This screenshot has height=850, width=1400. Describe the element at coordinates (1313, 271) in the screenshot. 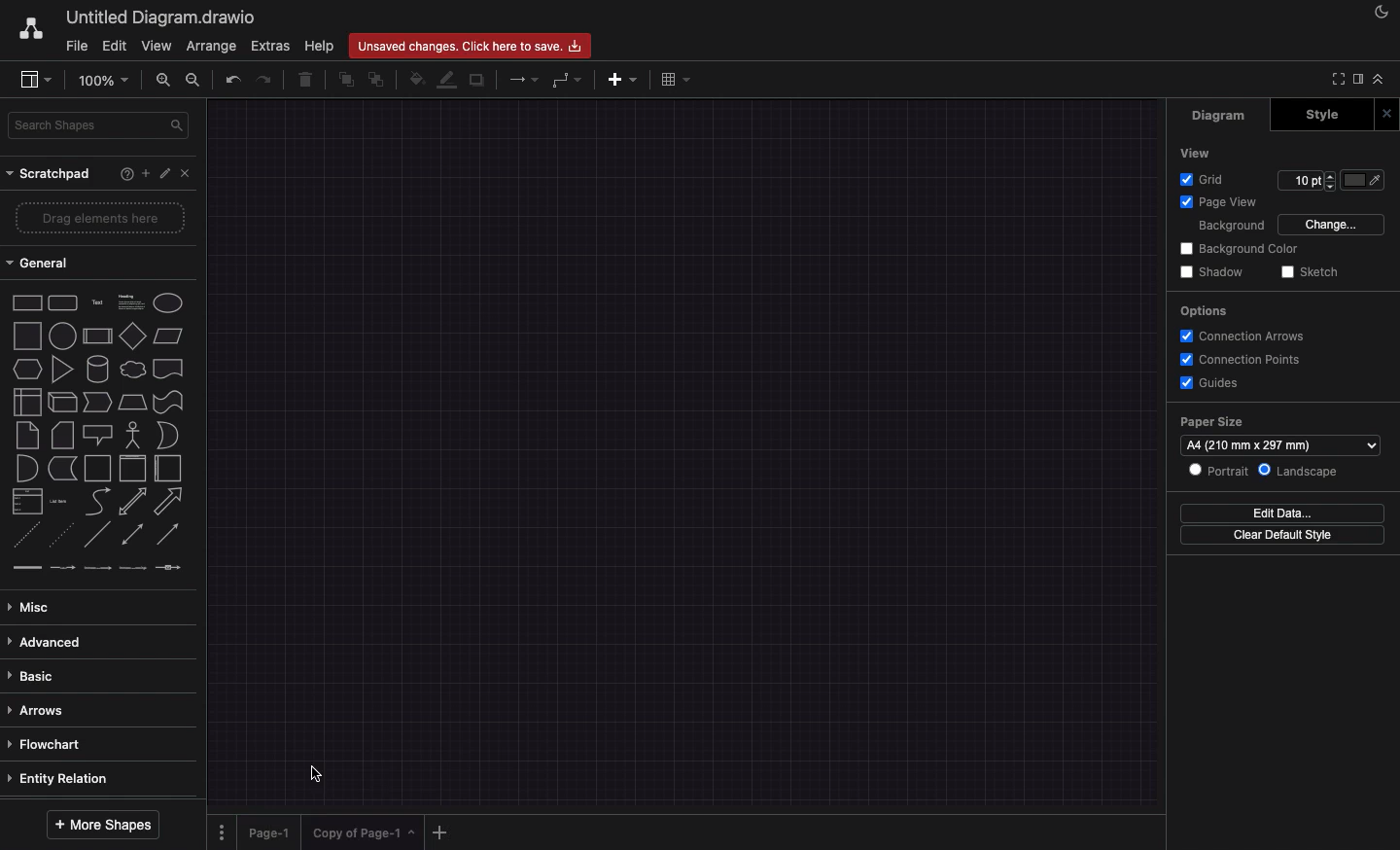

I see `sketch` at that location.